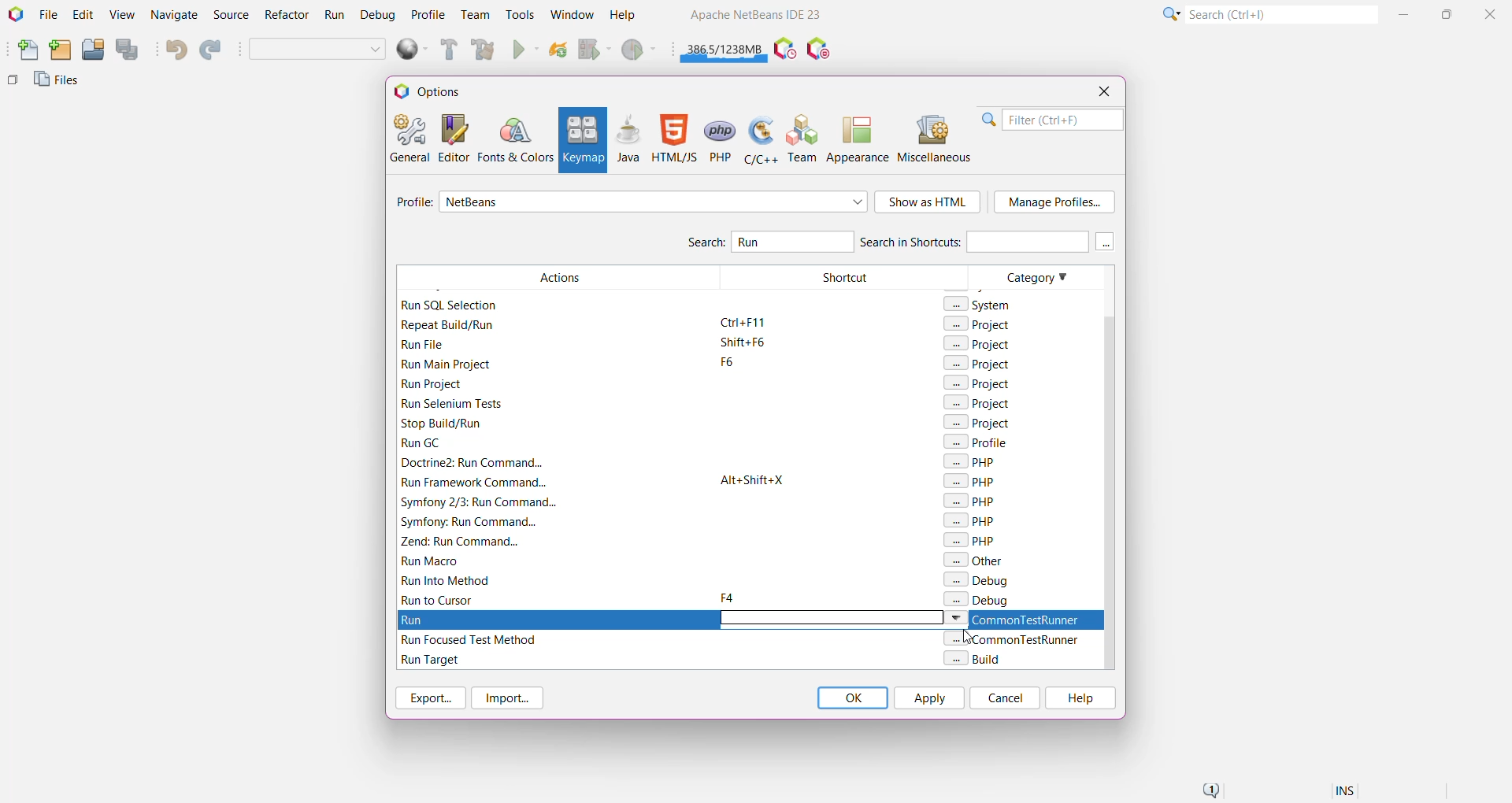 The width and height of the screenshot is (1512, 803). I want to click on Run, so click(335, 17).